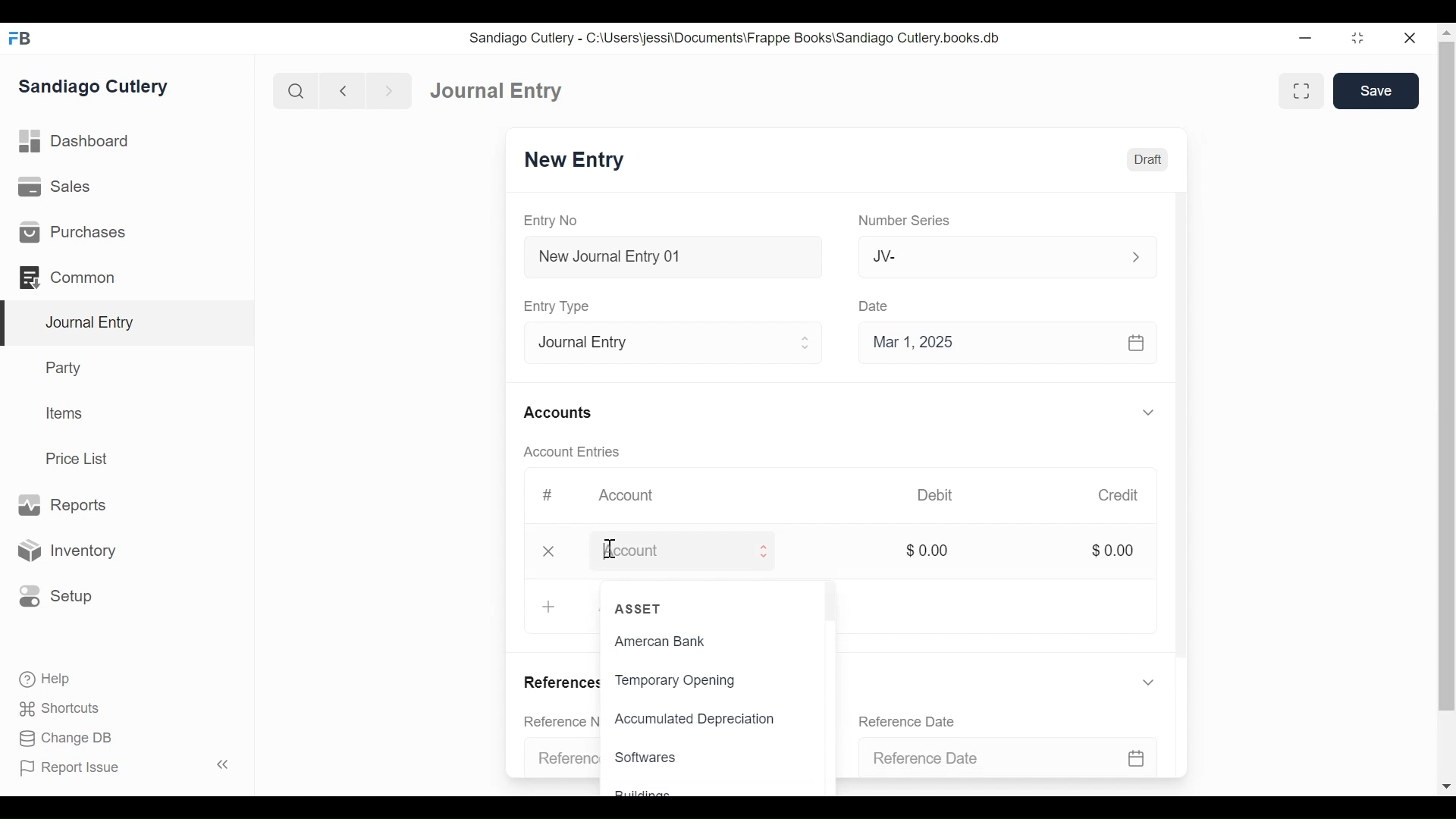  Describe the element at coordinates (1357, 37) in the screenshot. I see `minimize` at that location.